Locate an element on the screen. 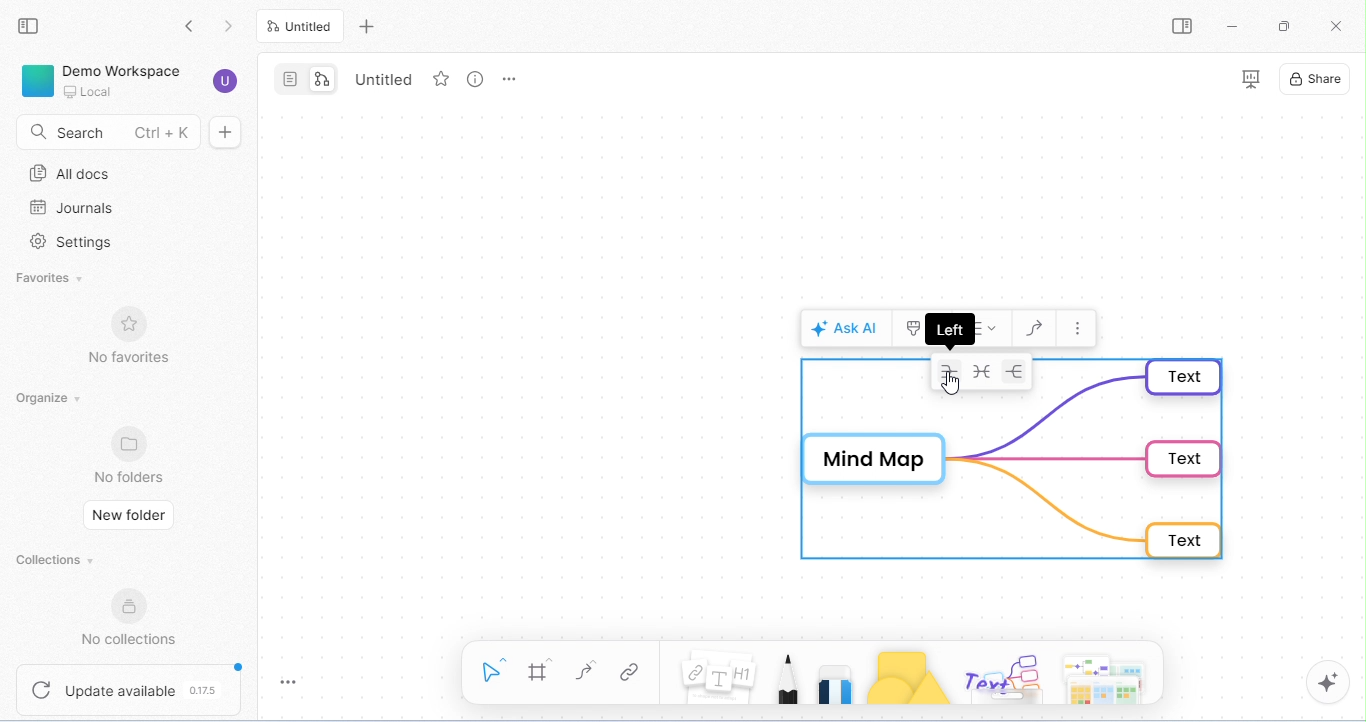  connectors is located at coordinates (586, 671).